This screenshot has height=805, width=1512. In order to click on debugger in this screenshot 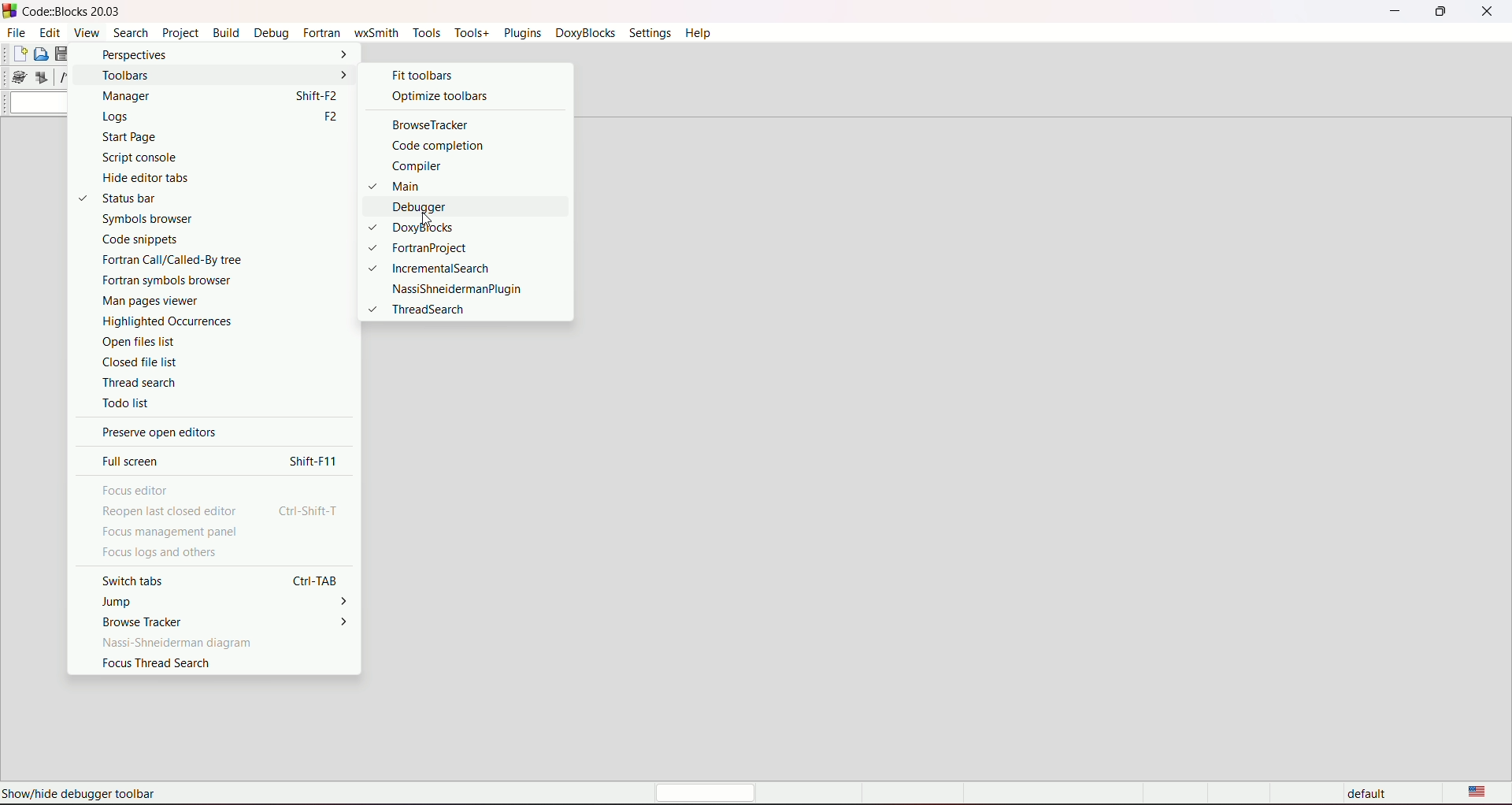, I will do `click(445, 207)`.